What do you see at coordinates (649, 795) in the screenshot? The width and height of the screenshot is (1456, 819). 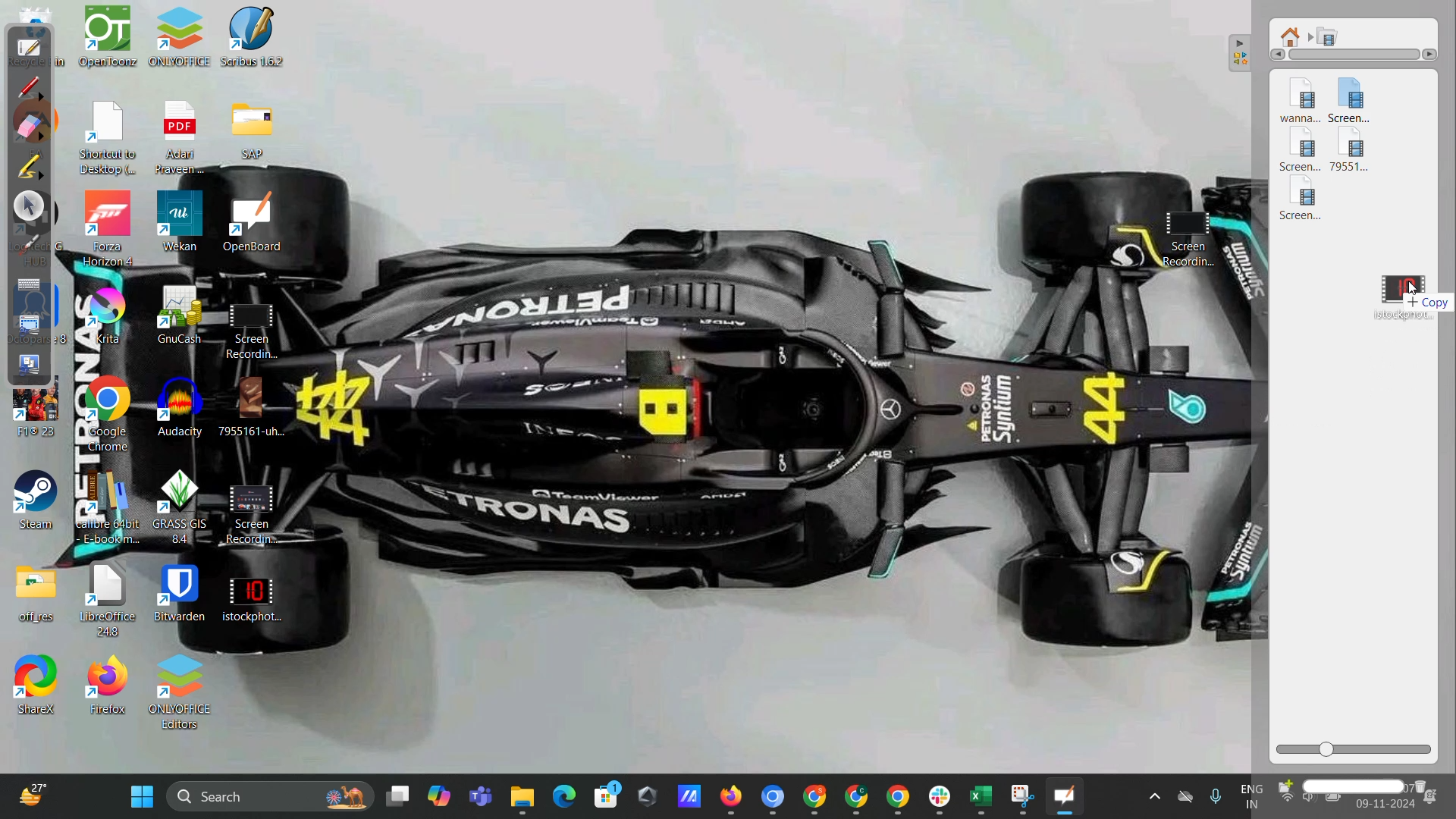 I see `shortcut on desktop taskbar` at bounding box center [649, 795].